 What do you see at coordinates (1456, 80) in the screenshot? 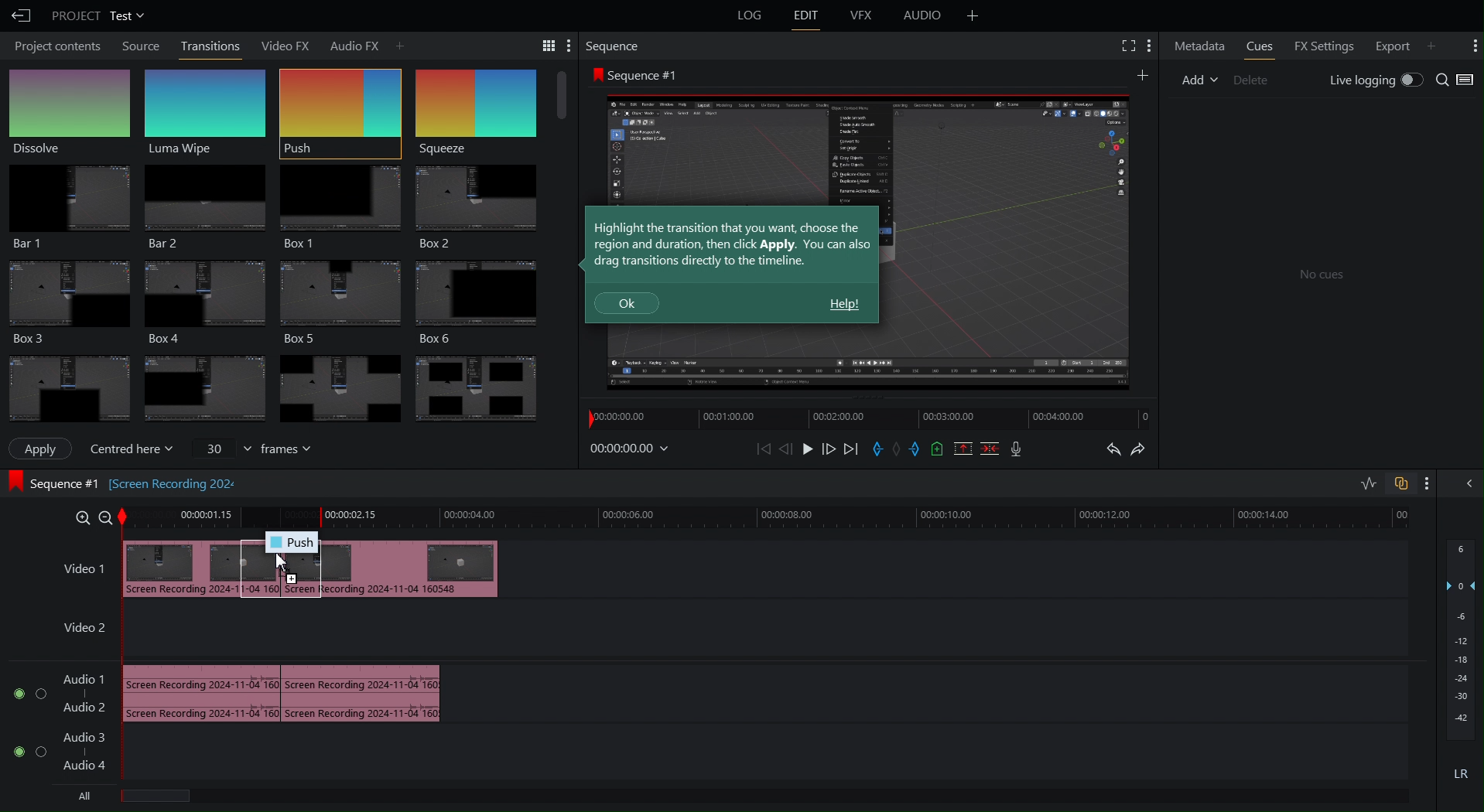
I see `Search` at bounding box center [1456, 80].